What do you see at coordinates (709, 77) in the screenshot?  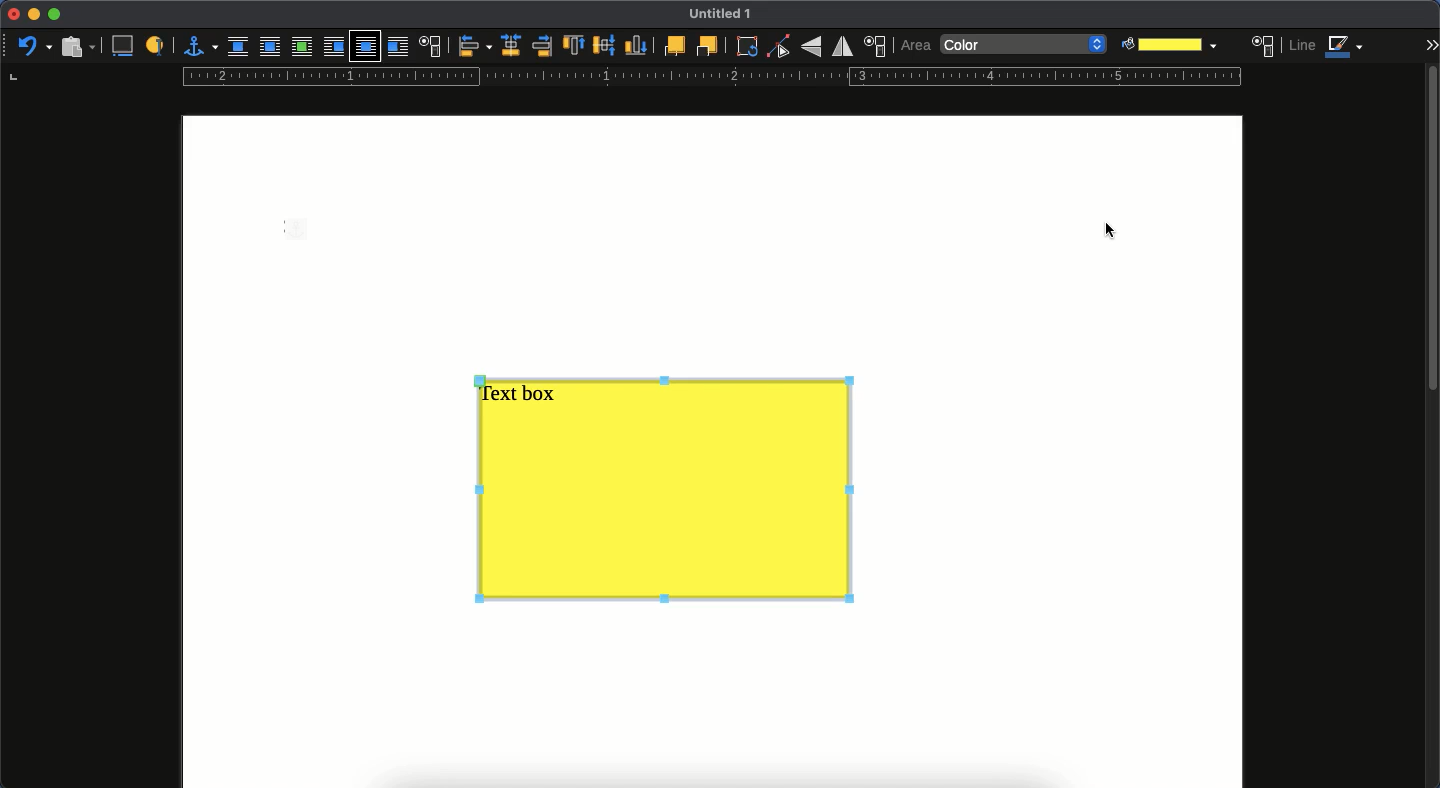 I see `guide` at bounding box center [709, 77].